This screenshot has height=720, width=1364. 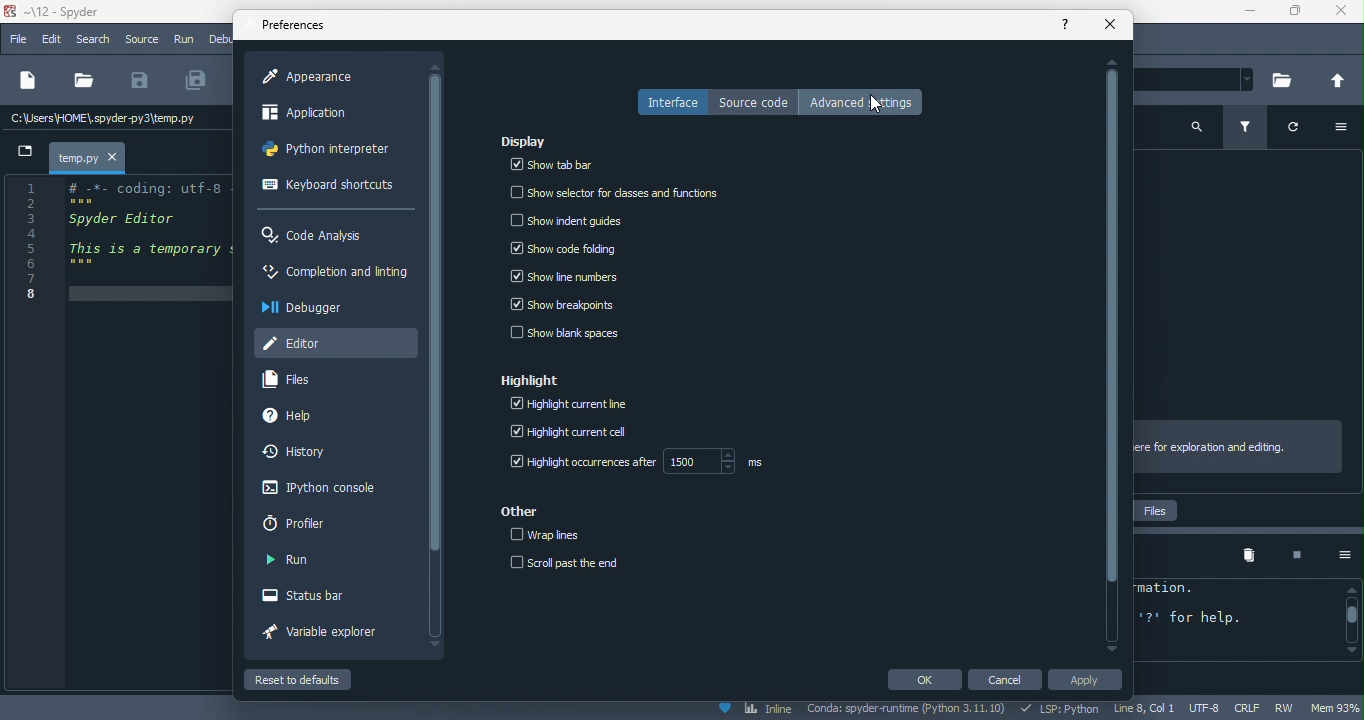 What do you see at coordinates (1302, 131) in the screenshot?
I see `refresh` at bounding box center [1302, 131].